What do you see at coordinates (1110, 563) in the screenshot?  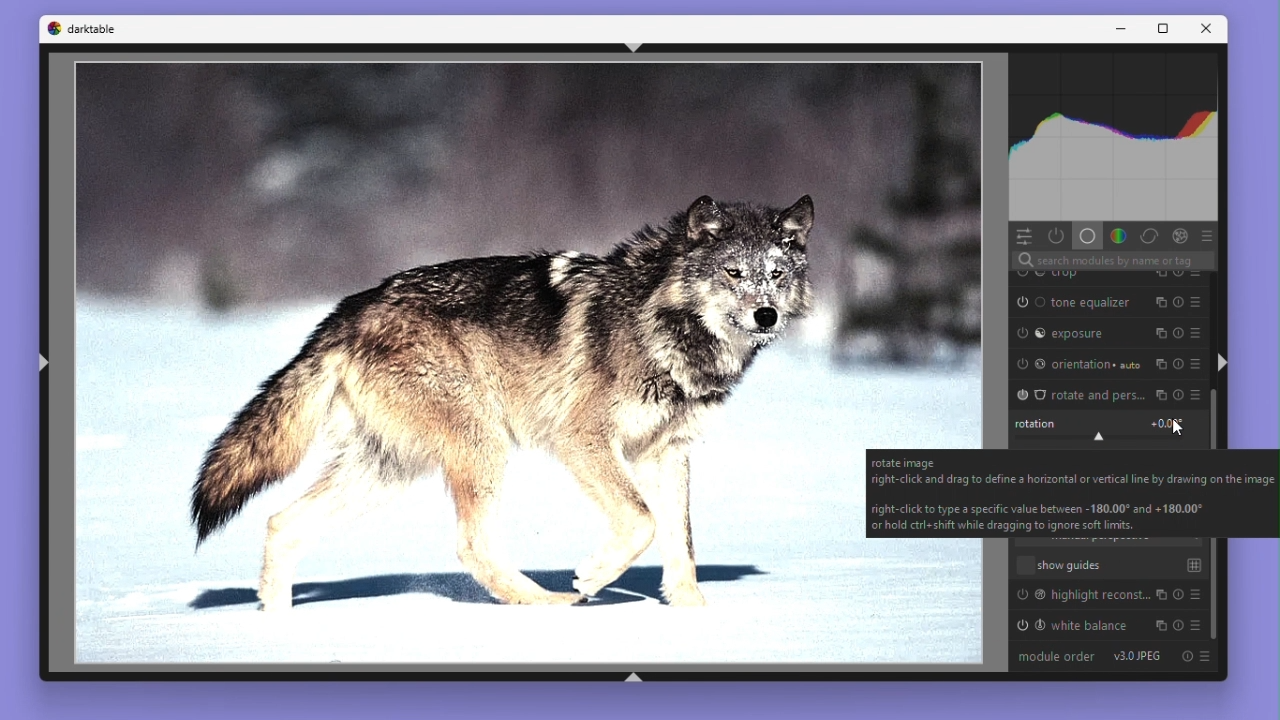 I see `Show guides` at bounding box center [1110, 563].